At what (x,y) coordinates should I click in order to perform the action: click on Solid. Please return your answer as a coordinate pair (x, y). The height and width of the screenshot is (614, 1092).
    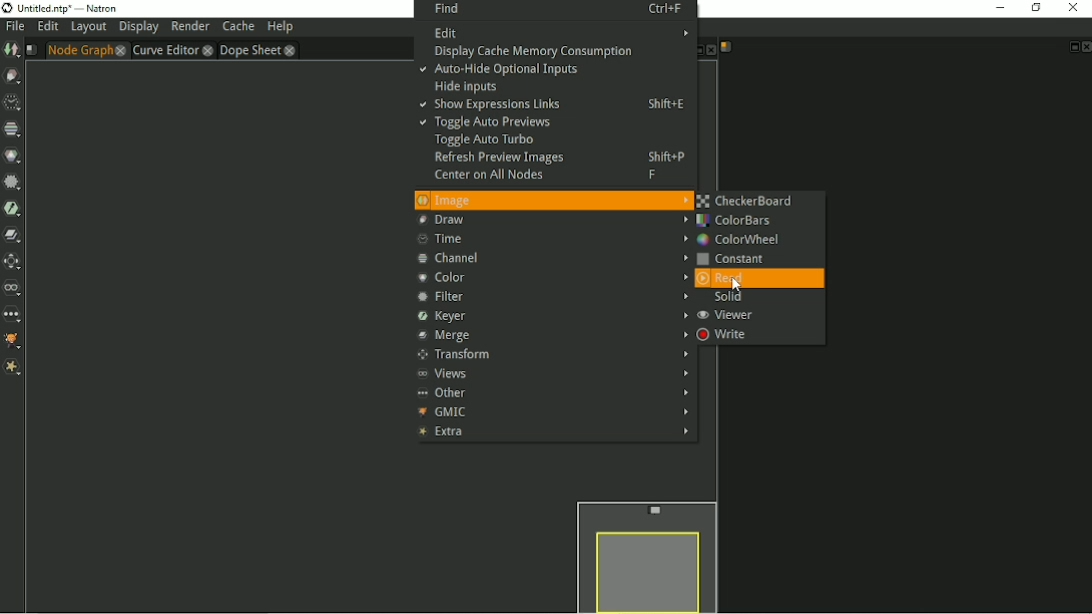
    Looking at the image, I should click on (726, 298).